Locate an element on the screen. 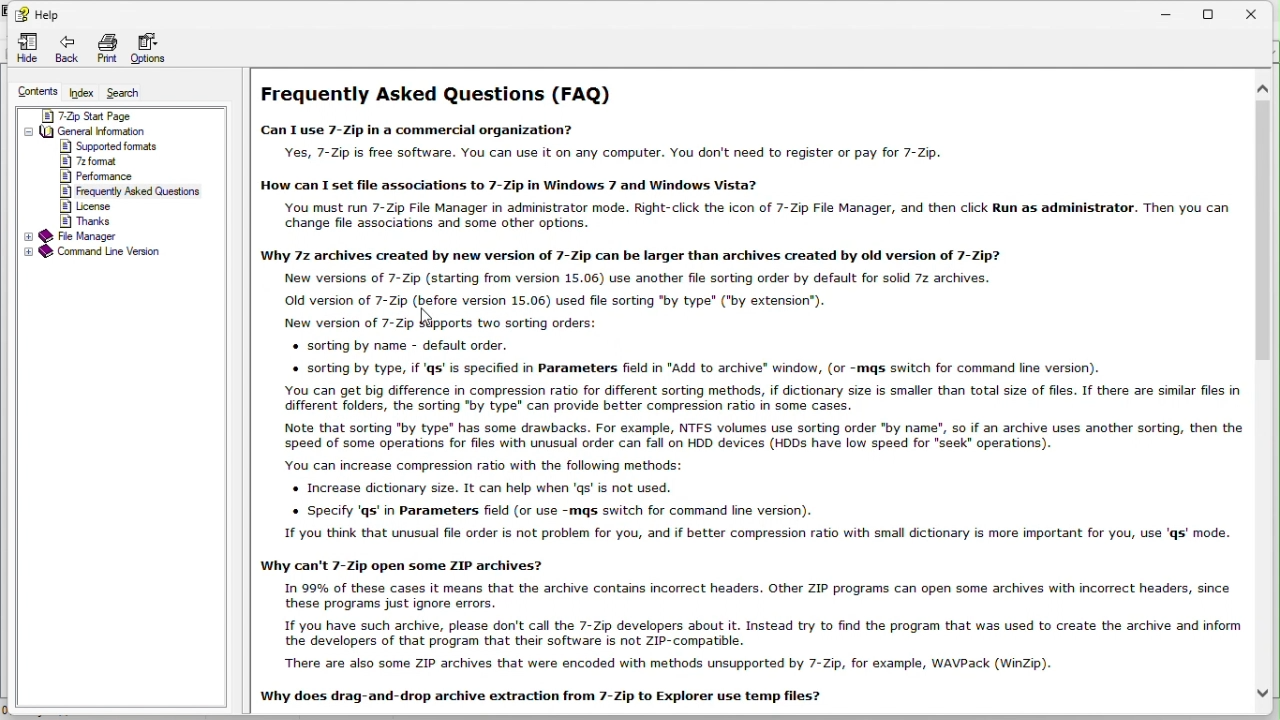 Image resolution: width=1280 pixels, height=720 pixels. File manager is located at coordinates (74, 236).